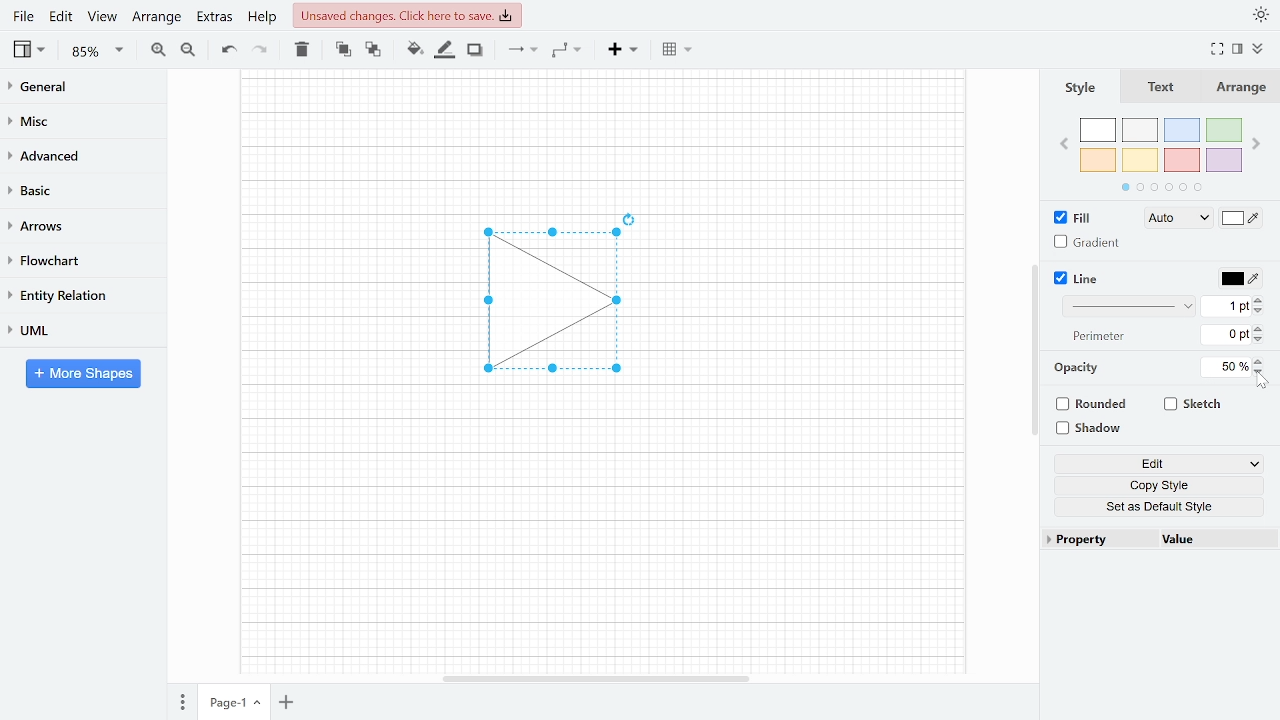 The height and width of the screenshot is (720, 1280). What do you see at coordinates (1261, 329) in the screenshot?
I see `Increase perimeter` at bounding box center [1261, 329].